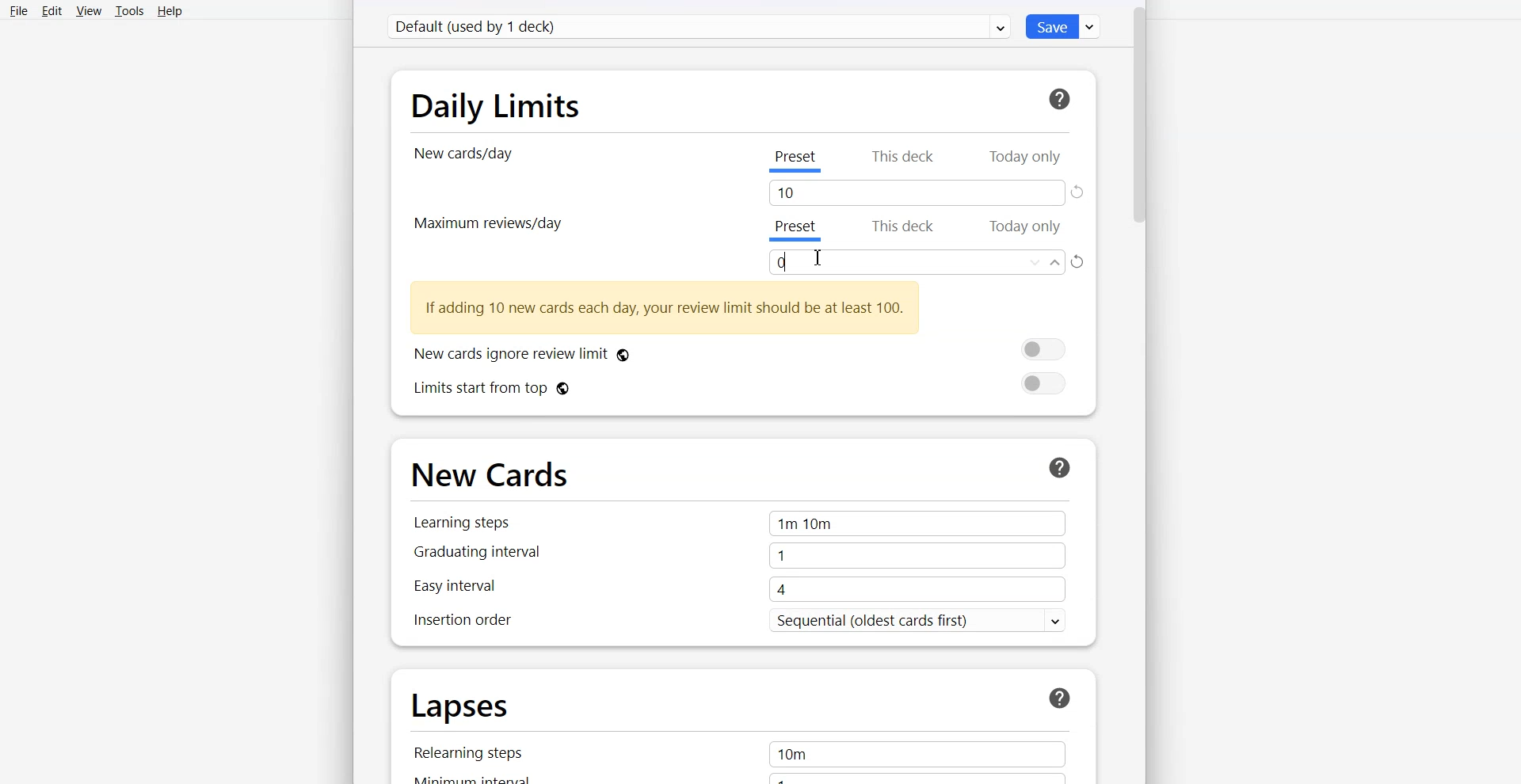 Image resolution: width=1521 pixels, height=784 pixels. What do you see at coordinates (460, 706) in the screenshot?
I see `Lapses` at bounding box center [460, 706].